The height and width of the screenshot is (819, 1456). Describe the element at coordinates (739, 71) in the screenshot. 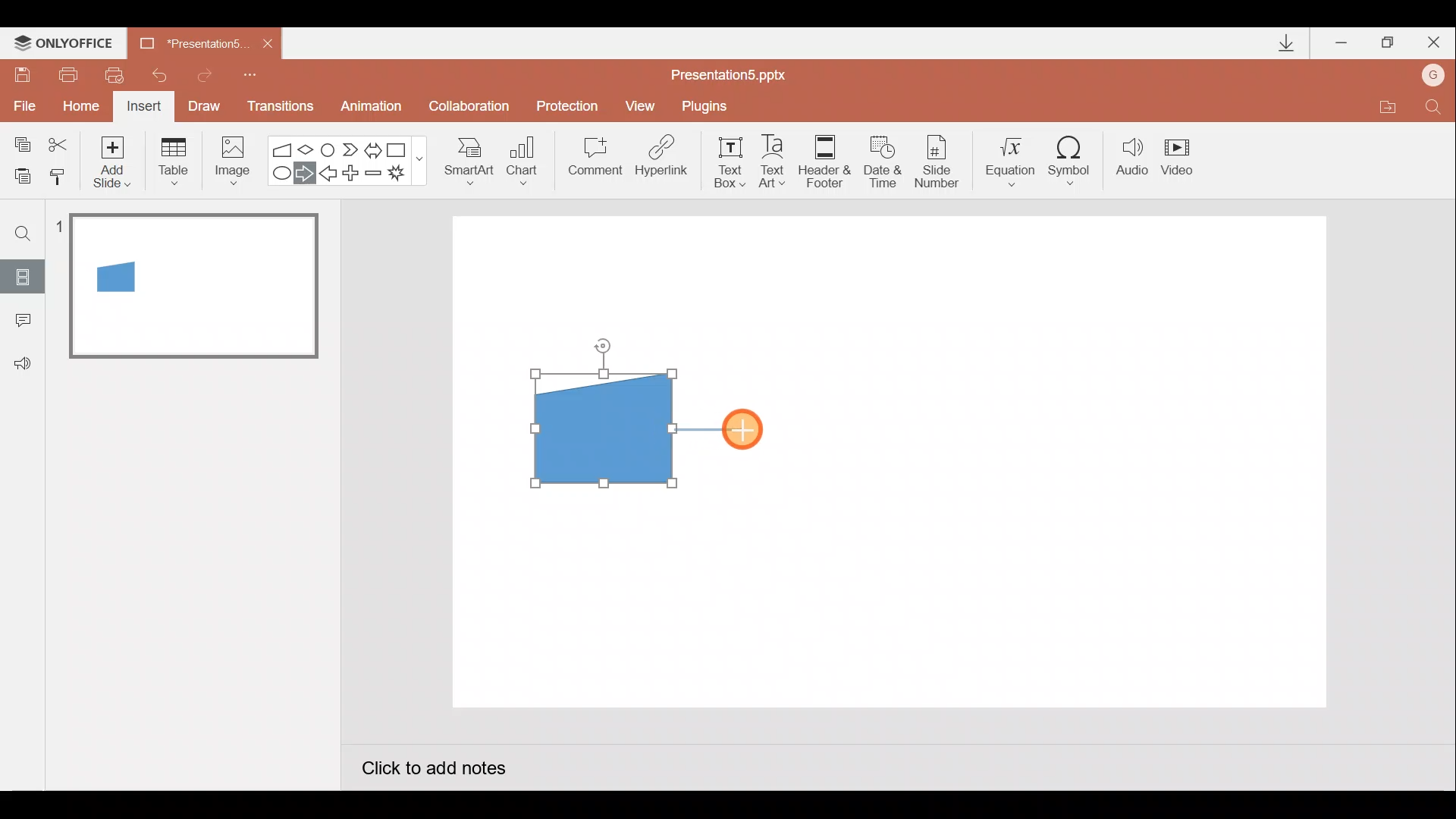

I see `Presentation5.pptx` at that location.